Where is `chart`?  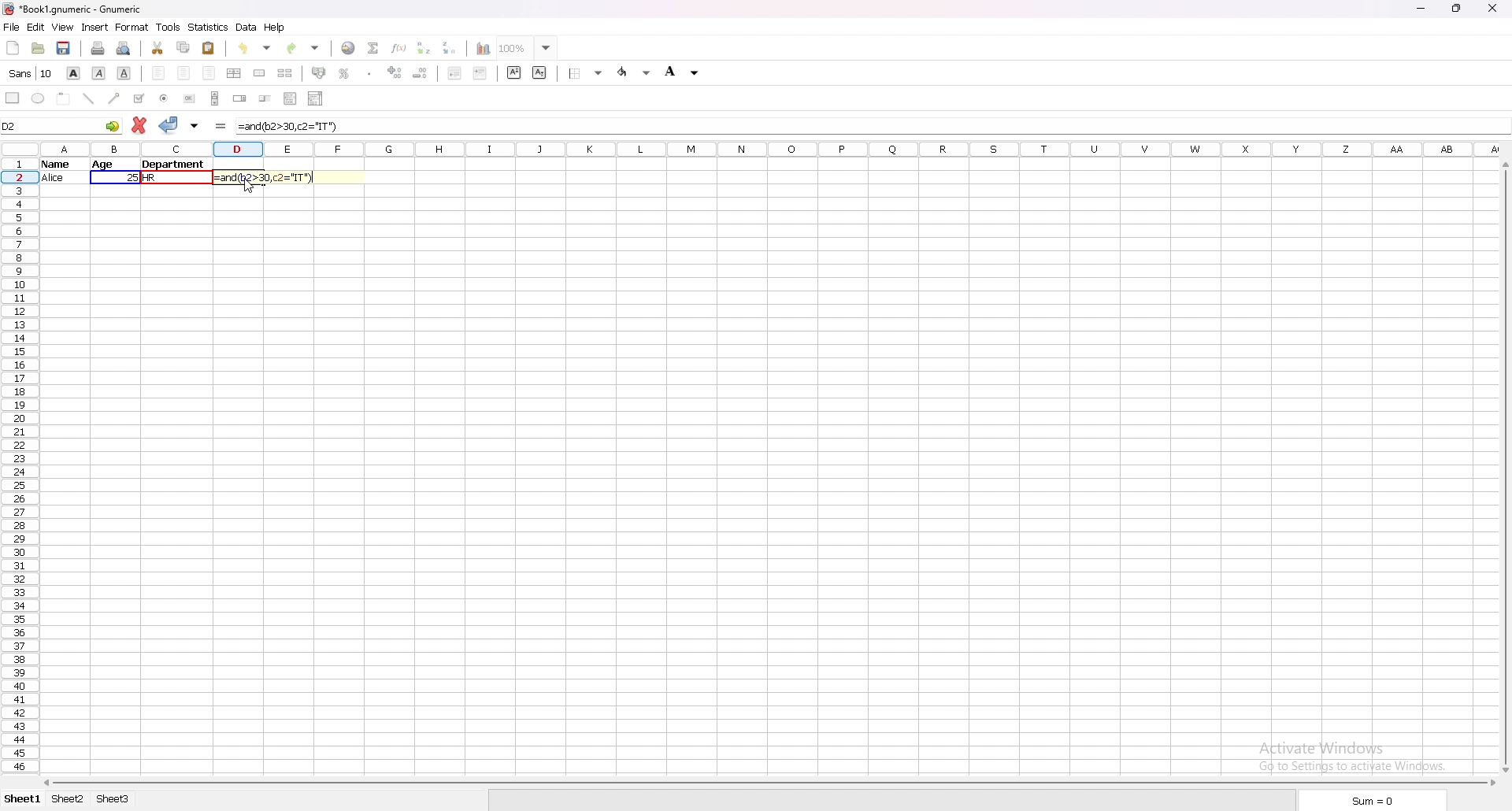
chart is located at coordinates (484, 47).